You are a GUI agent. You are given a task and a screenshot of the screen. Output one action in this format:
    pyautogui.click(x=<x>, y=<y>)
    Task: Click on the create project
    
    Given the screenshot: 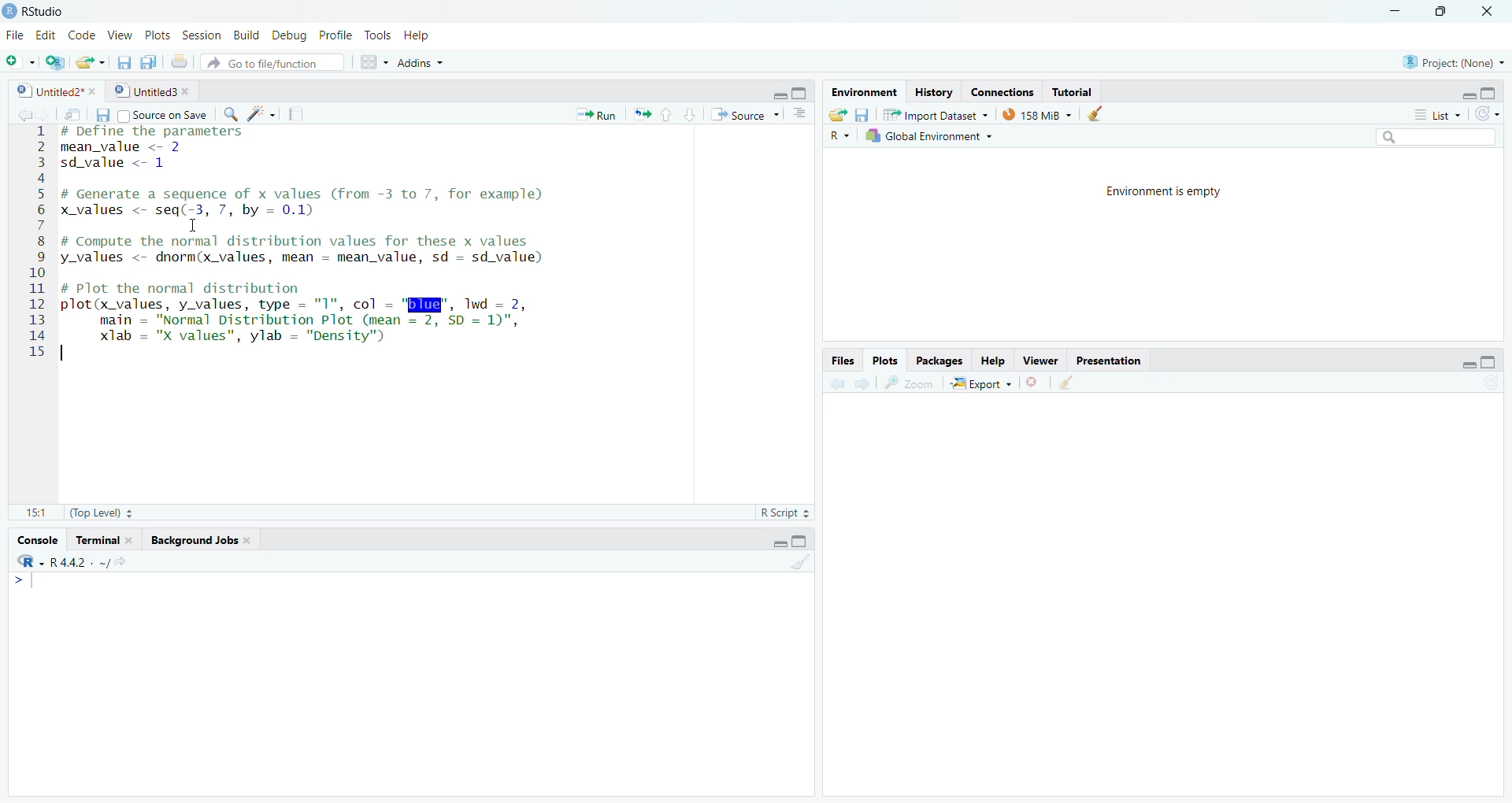 What is the action you would take?
    pyautogui.click(x=50, y=60)
    